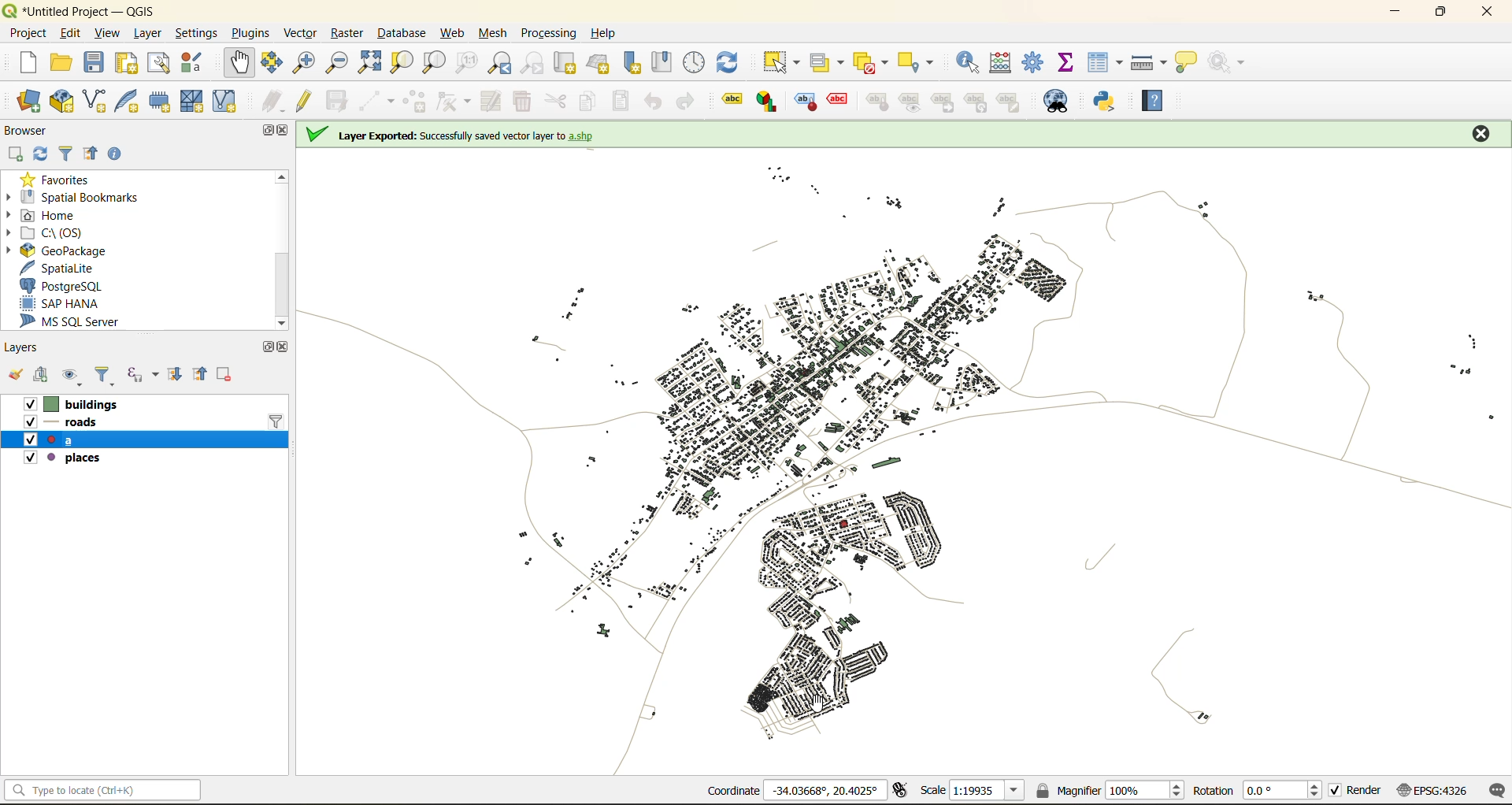 The image size is (1512, 805). Describe the element at coordinates (913, 102) in the screenshot. I see `show/hide labels and diagrams` at that location.